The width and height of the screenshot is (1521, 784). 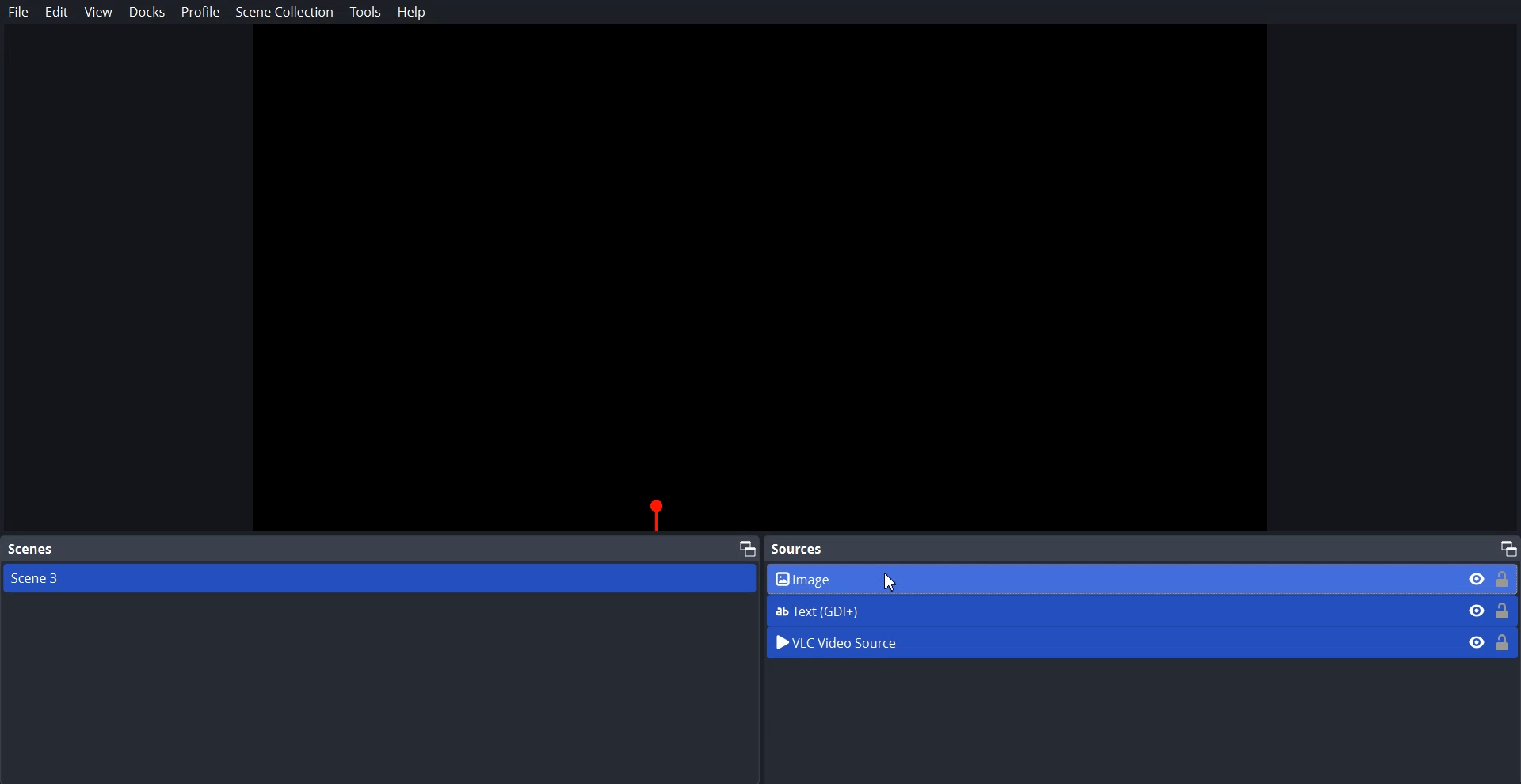 I want to click on Scene Collection, so click(x=284, y=14).